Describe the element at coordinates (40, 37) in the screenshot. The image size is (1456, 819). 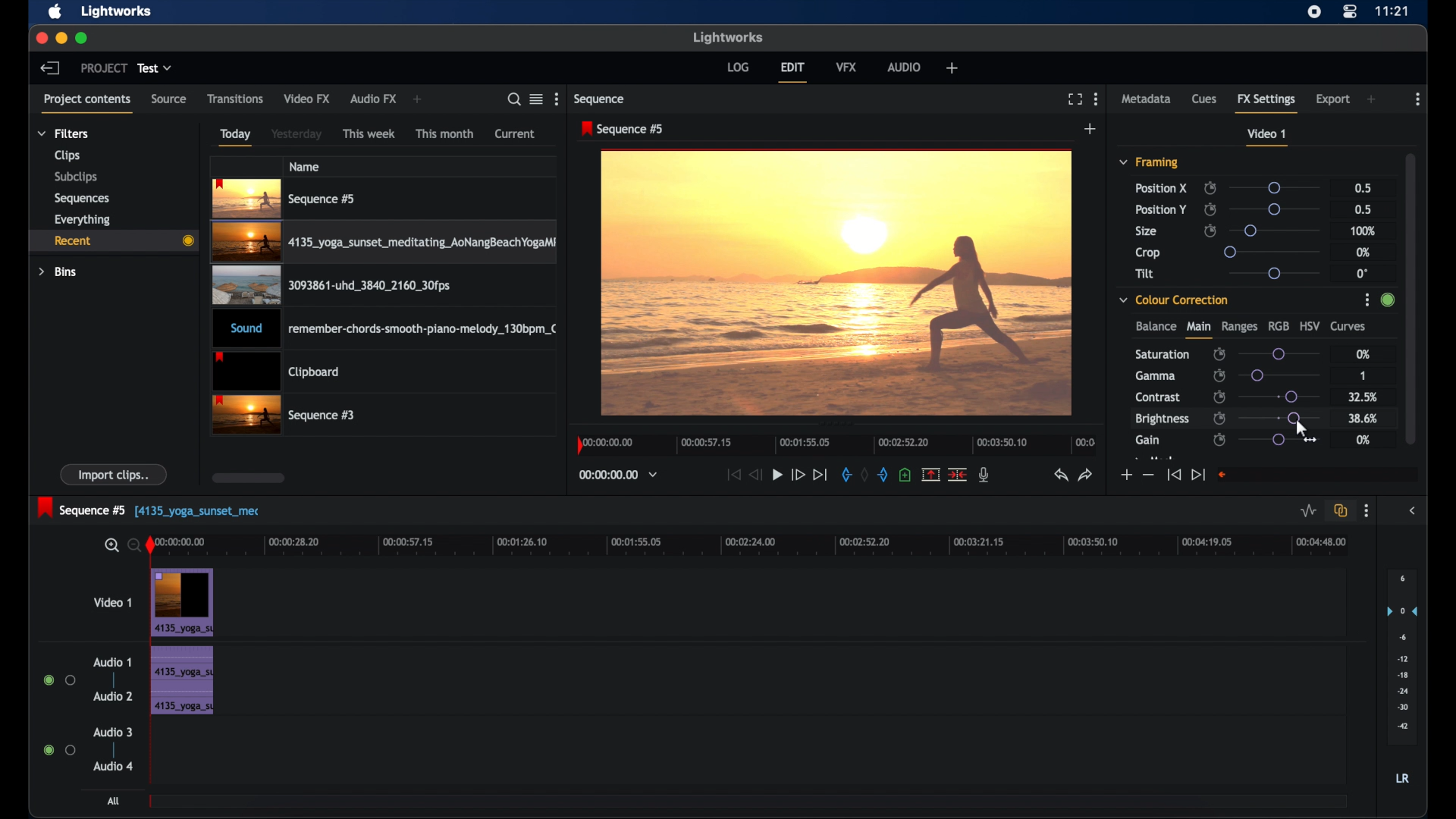
I see `close` at that location.